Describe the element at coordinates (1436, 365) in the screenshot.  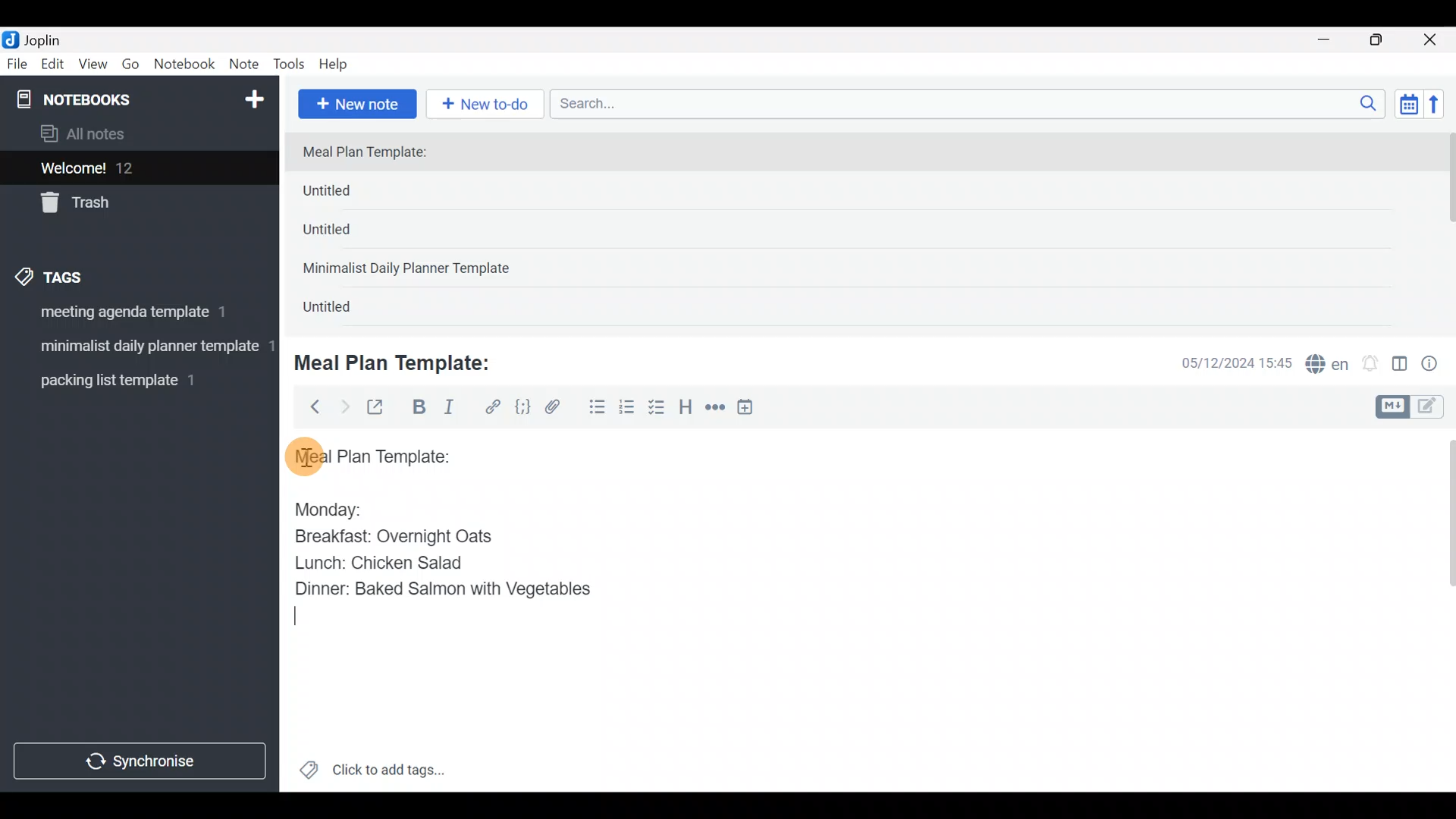
I see `Note properties` at that location.